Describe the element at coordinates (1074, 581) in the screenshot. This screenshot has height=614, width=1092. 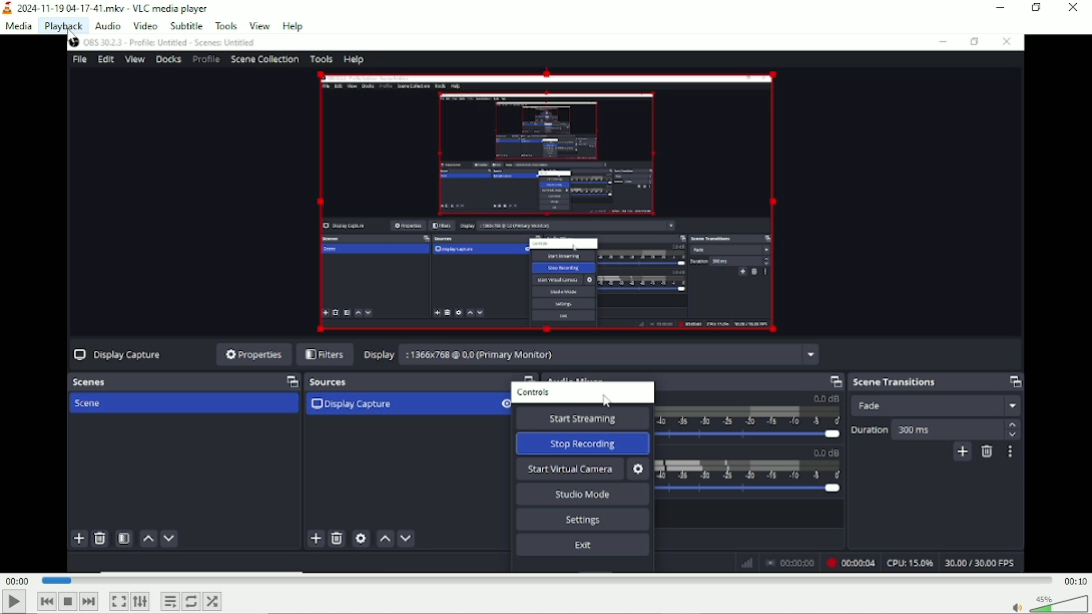
I see `00:10` at that location.